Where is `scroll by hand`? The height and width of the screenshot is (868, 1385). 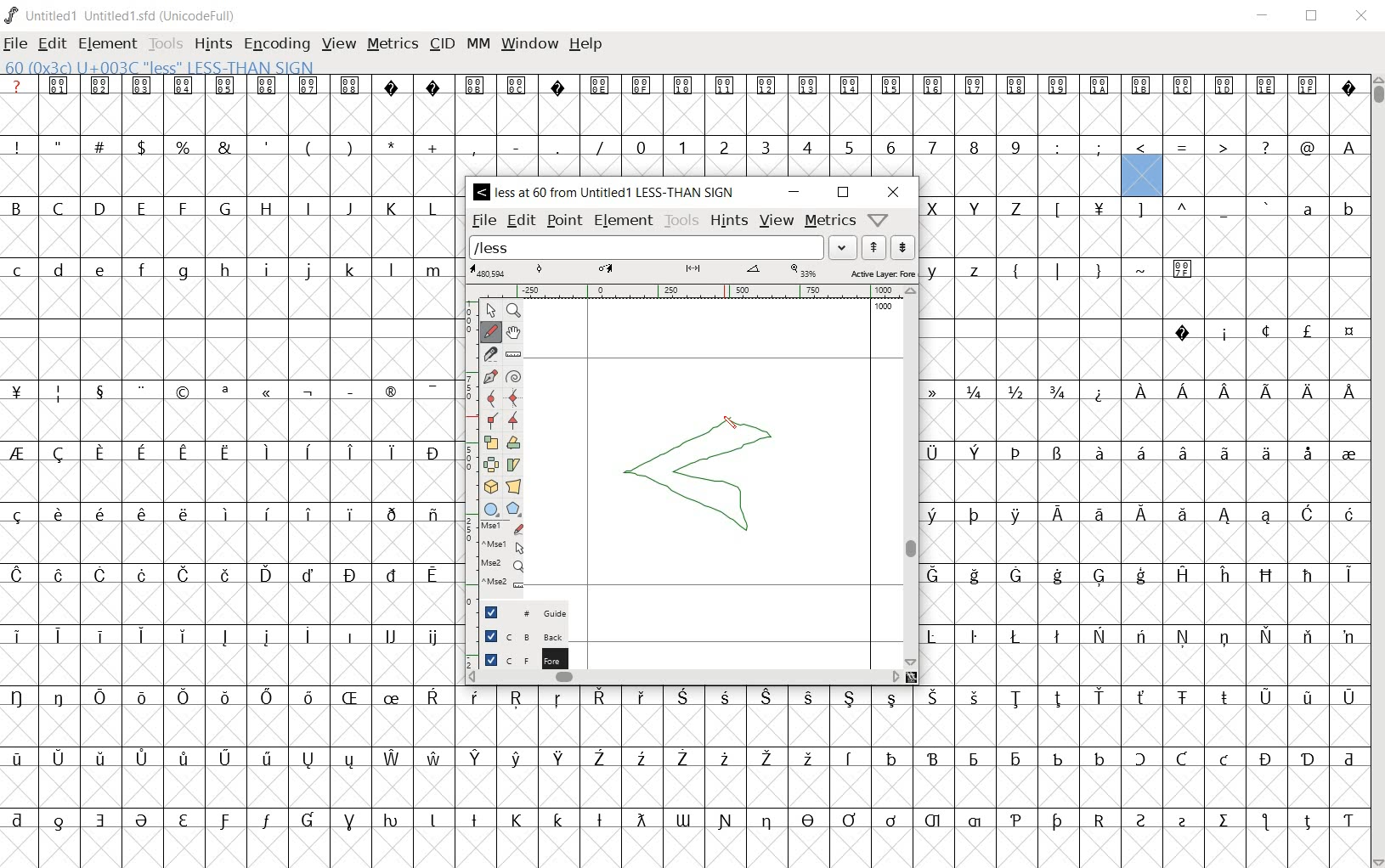
scroll by hand is located at coordinates (513, 332).